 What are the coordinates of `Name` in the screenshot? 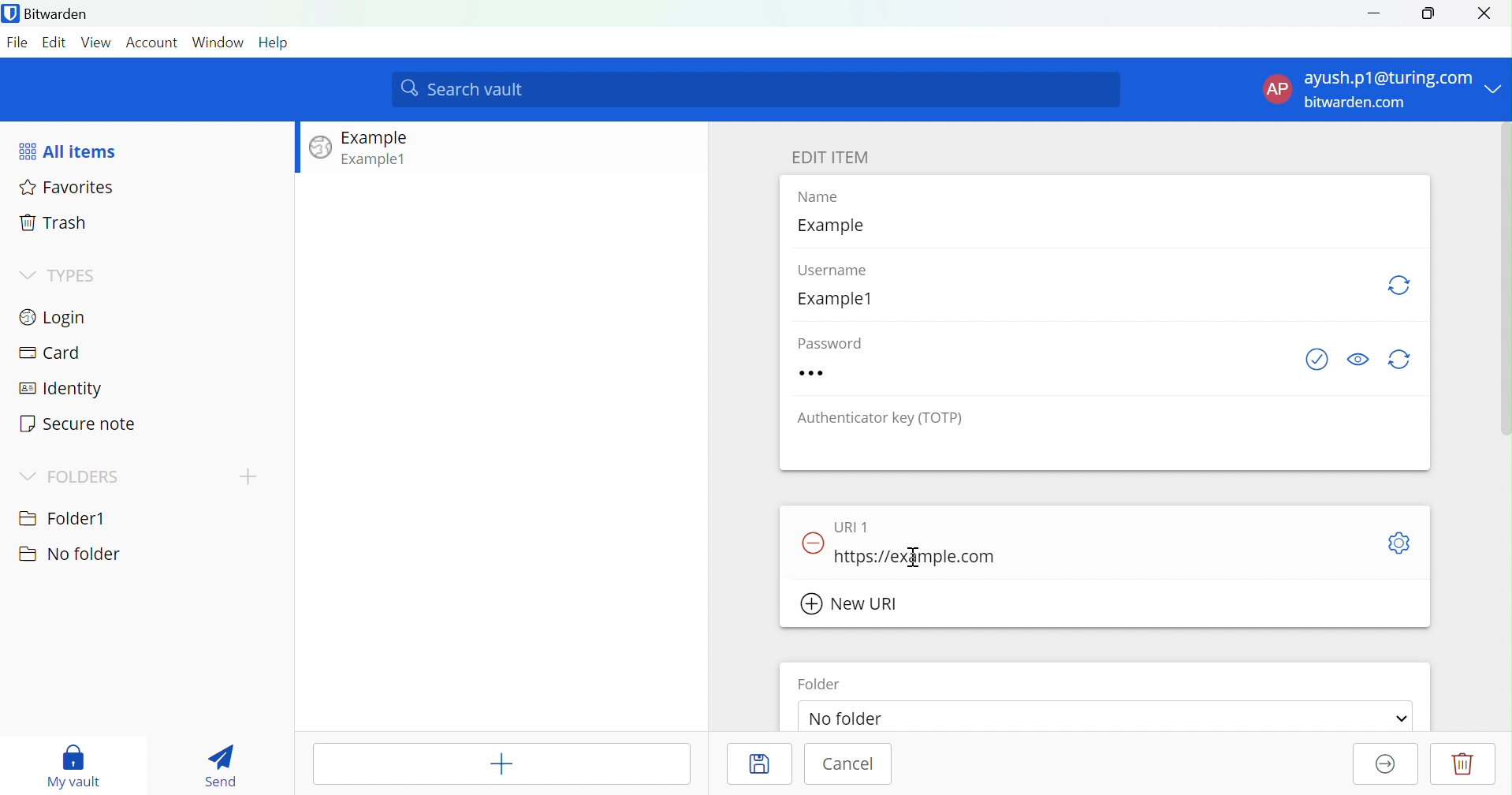 It's located at (829, 198).